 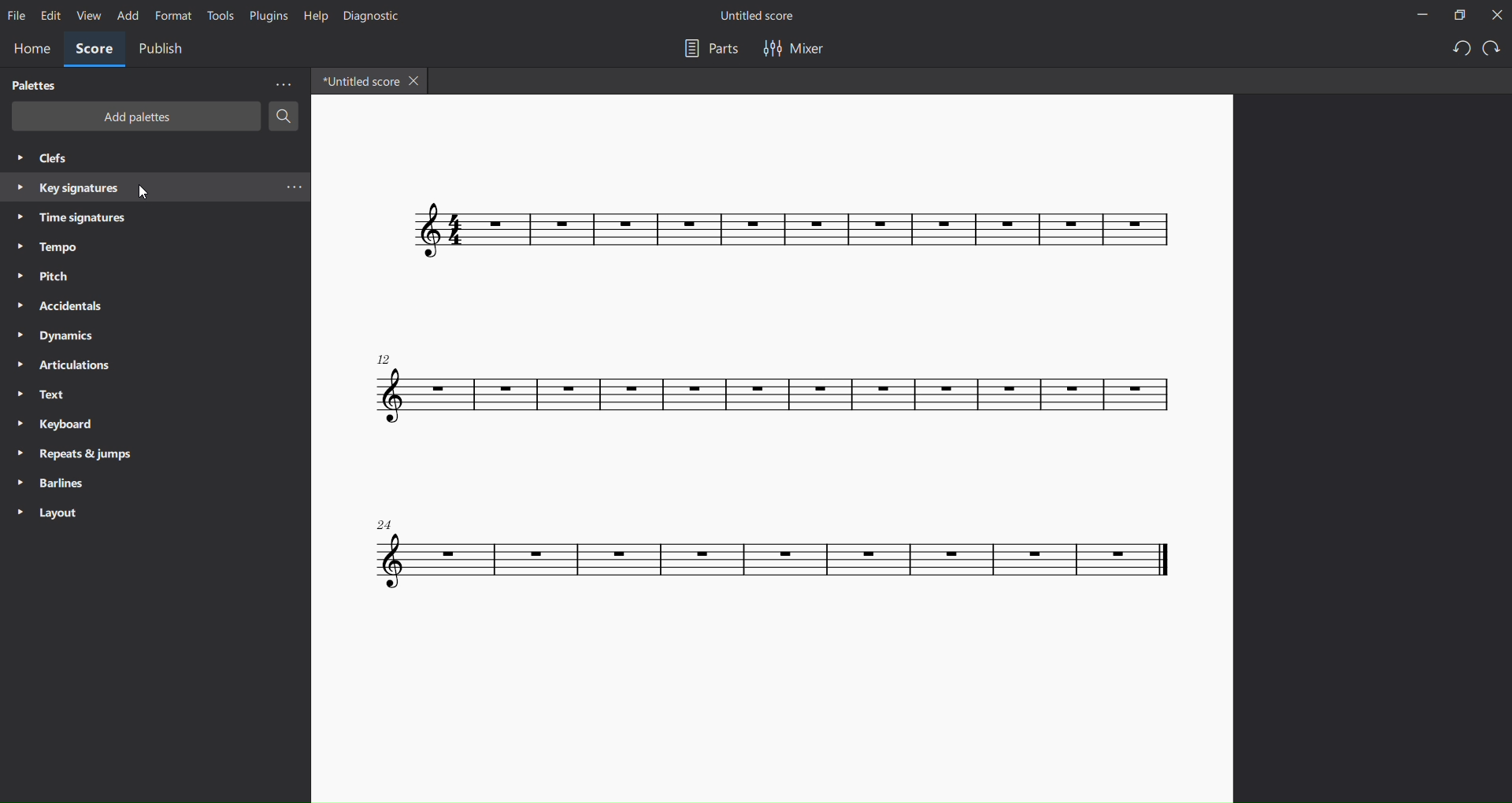 What do you see at coordinates (72, 216) in the screenshot?
I see `time signatures` at bounding box center [72, 216].